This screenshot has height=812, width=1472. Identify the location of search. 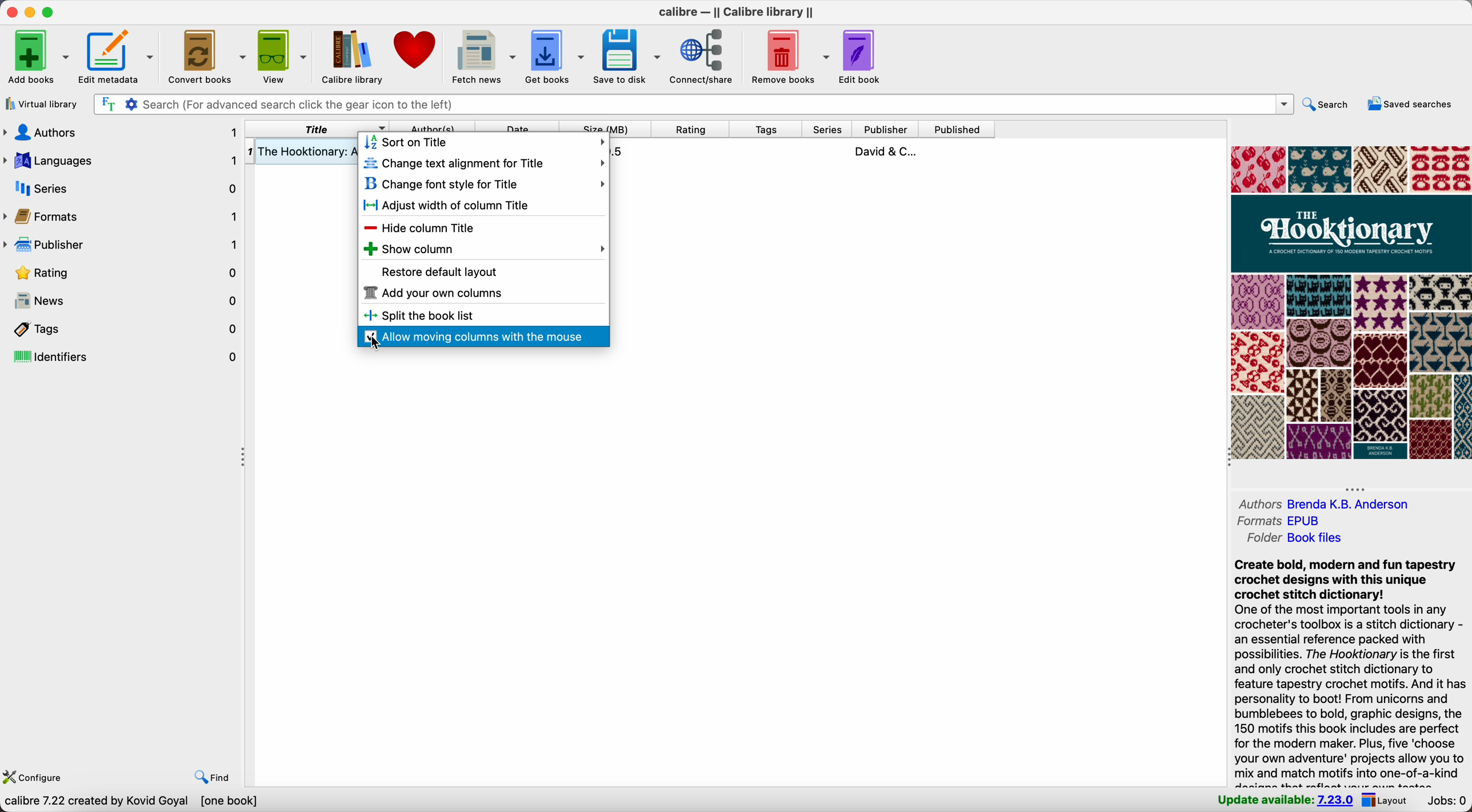
(1329, 106).